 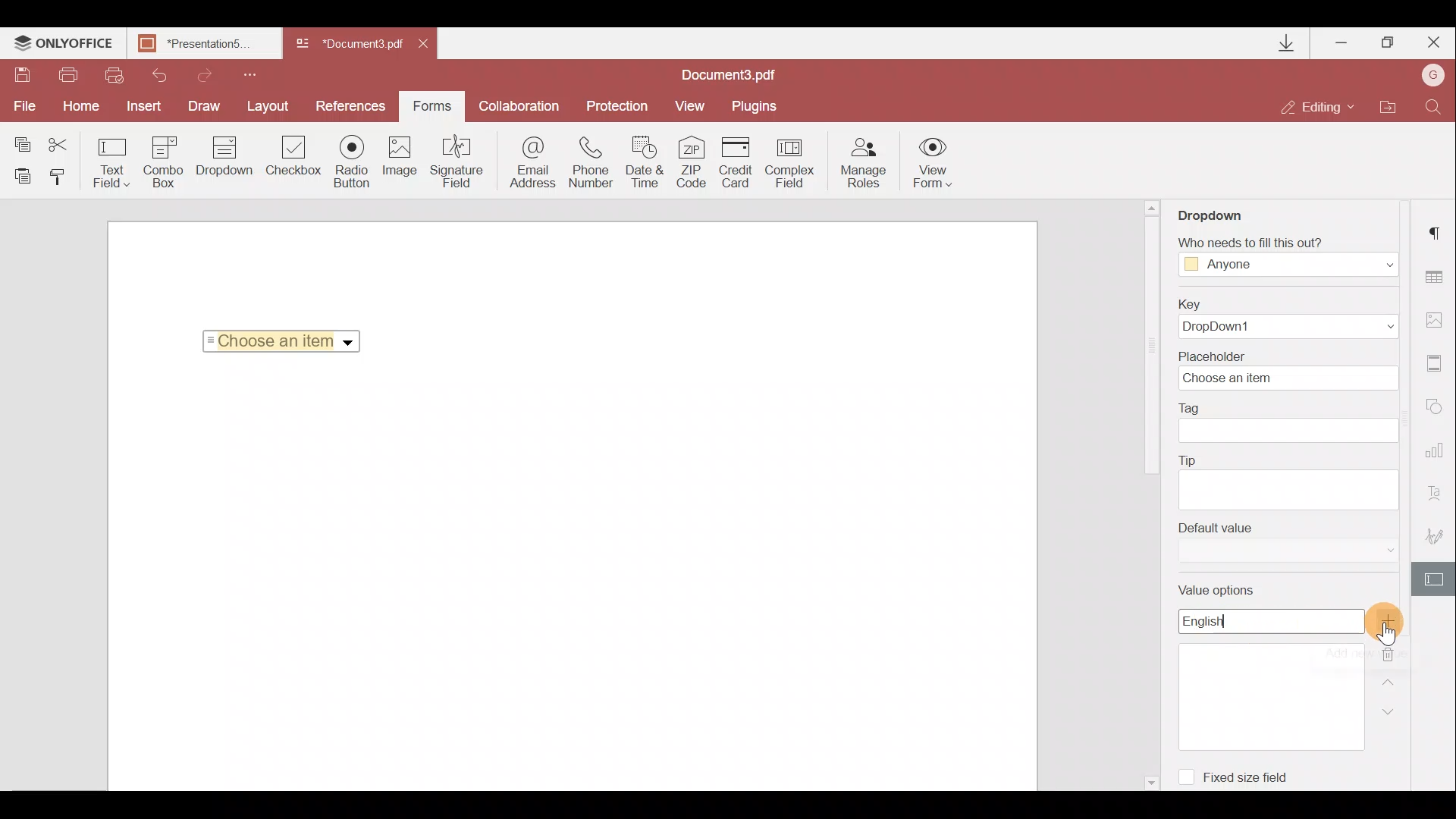 I want to click on scroll bar, so click(x=1150, y=348).